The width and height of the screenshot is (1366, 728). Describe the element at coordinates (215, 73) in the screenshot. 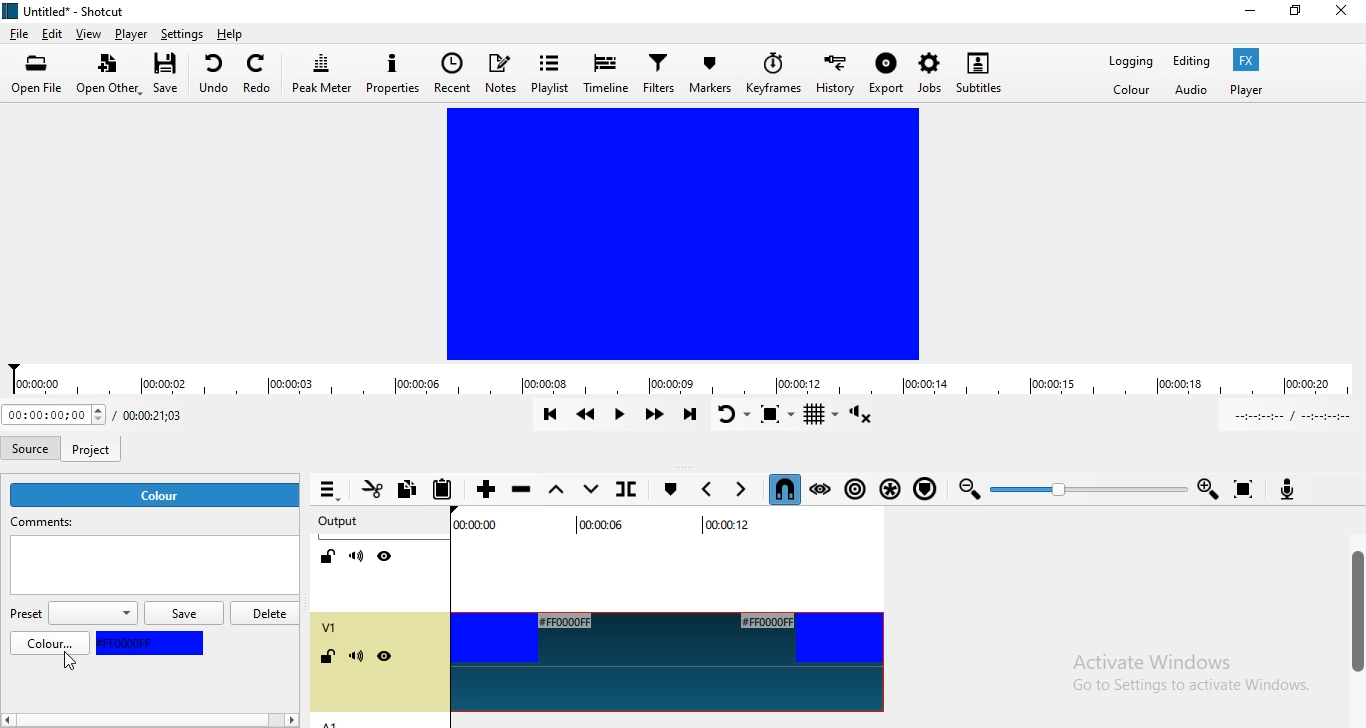

I see `undo` at that location.